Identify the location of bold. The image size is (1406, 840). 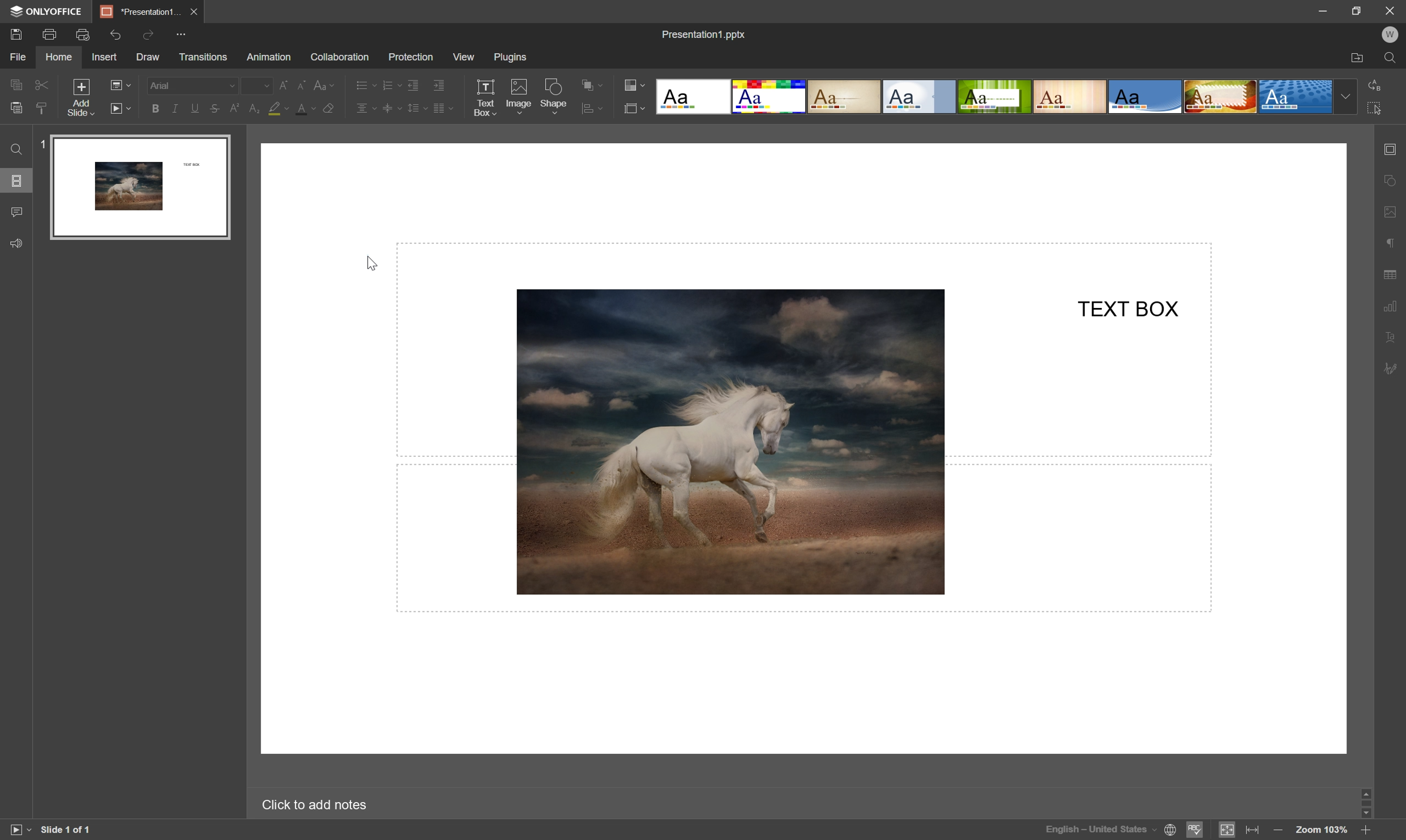
(156, 110).